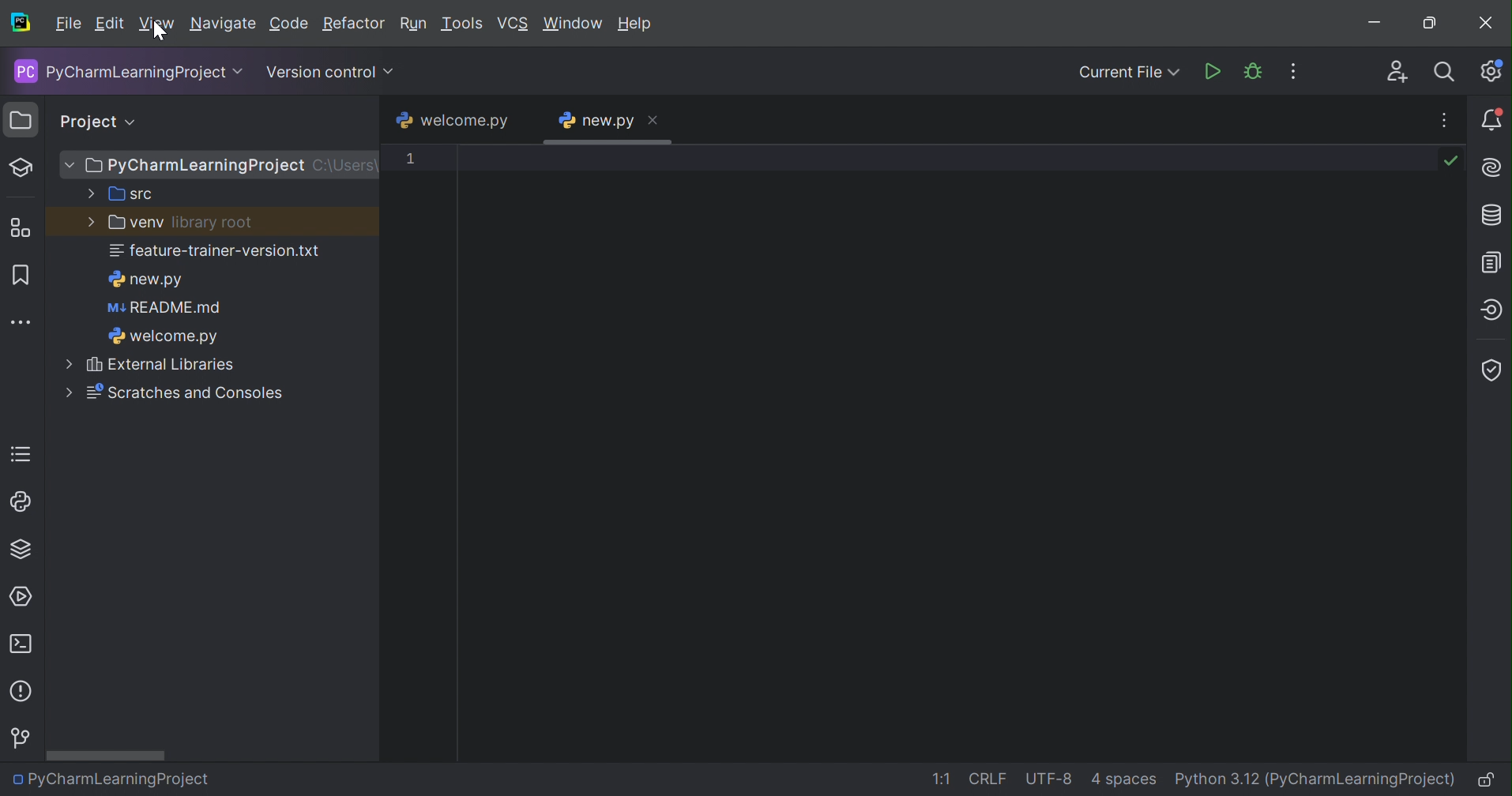  What do you see at coordinates (109, 779) in the screenshot?
I see `PyCharmLearningProject` at bounding box center [109, 779].